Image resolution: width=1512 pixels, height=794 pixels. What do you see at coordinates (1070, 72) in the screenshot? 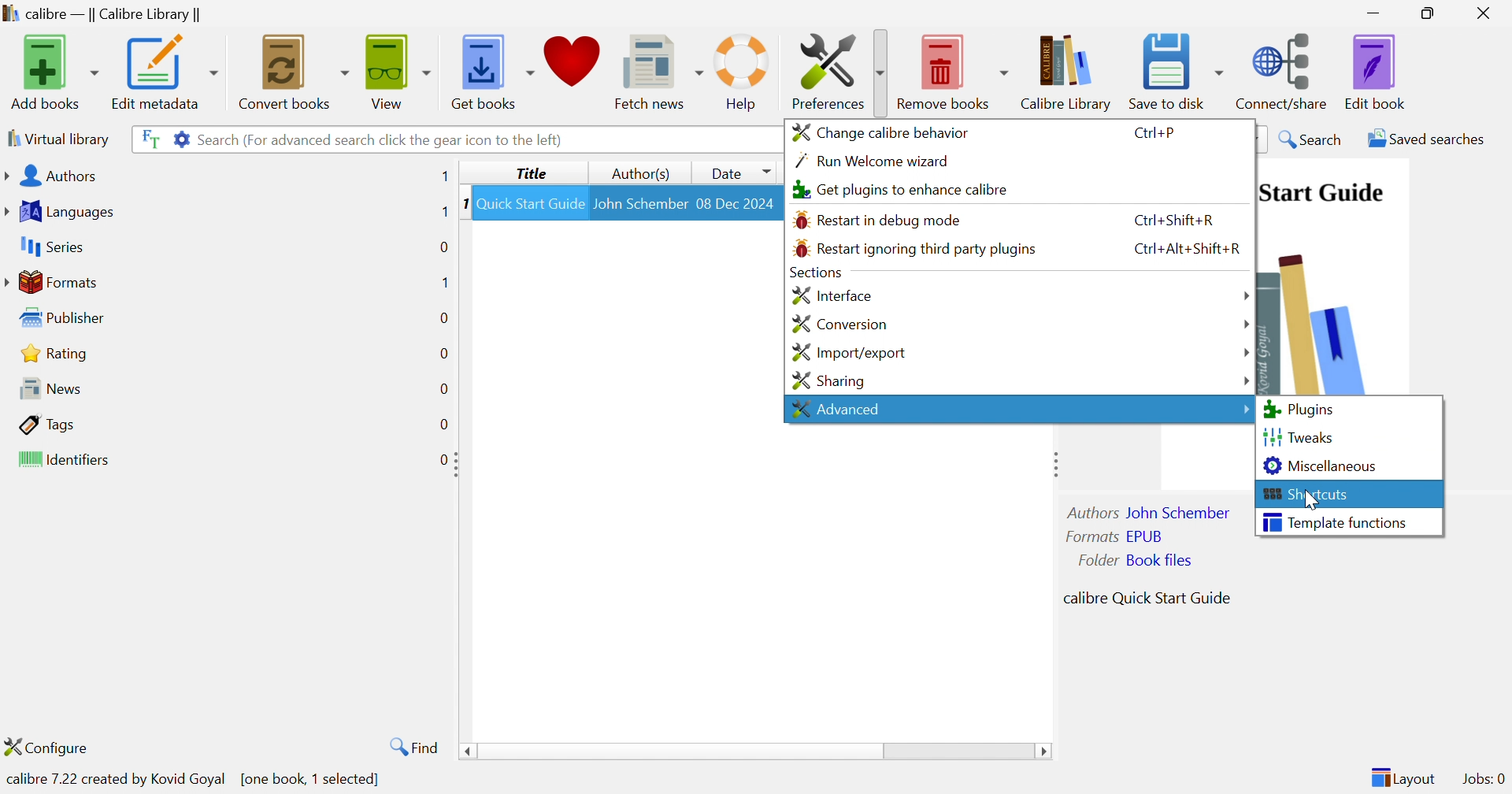
I see `Calibre Library` at bounding box center [1070, 72].